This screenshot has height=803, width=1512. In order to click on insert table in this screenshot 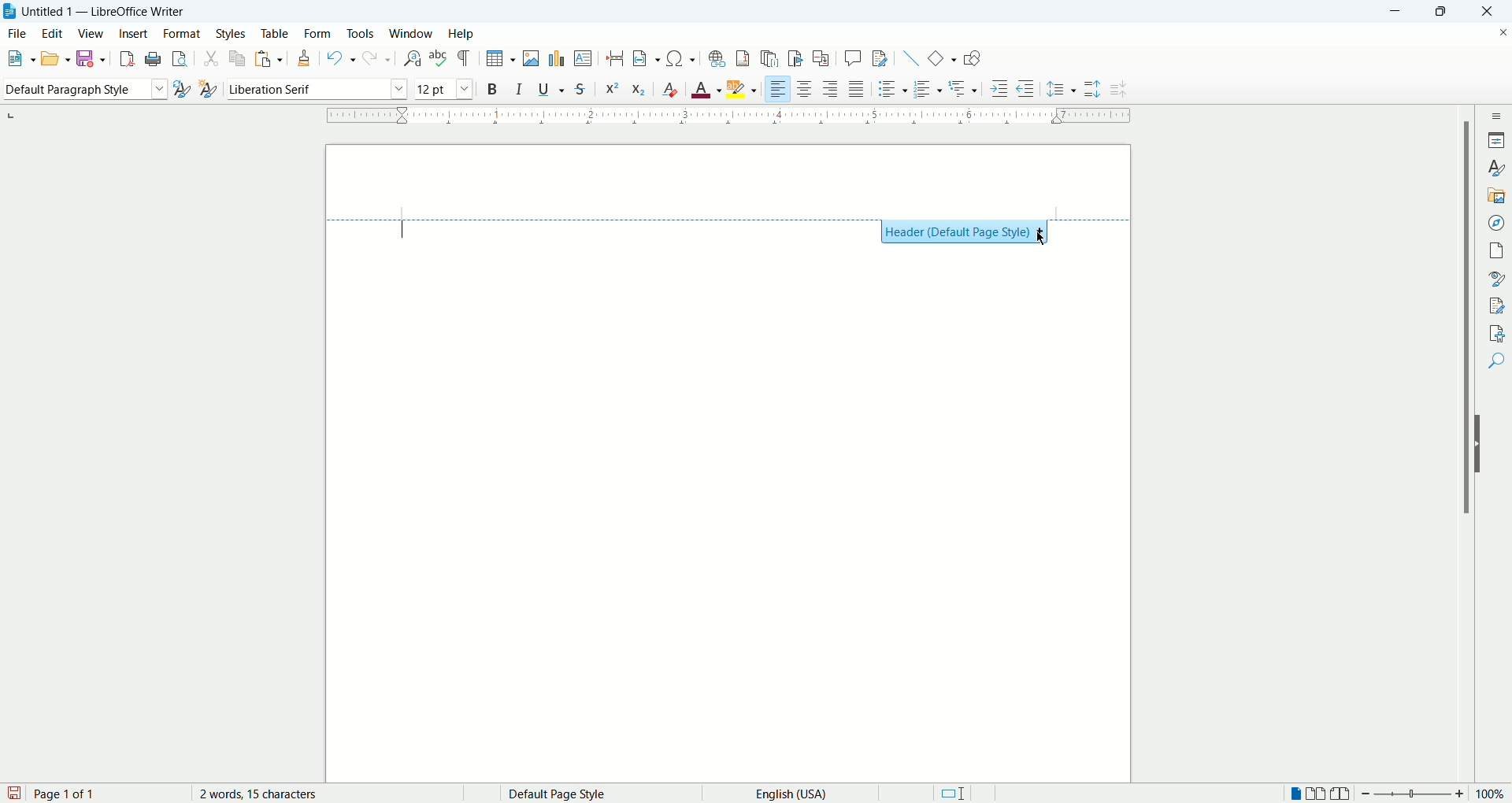, I will do `click(501, 59)`.